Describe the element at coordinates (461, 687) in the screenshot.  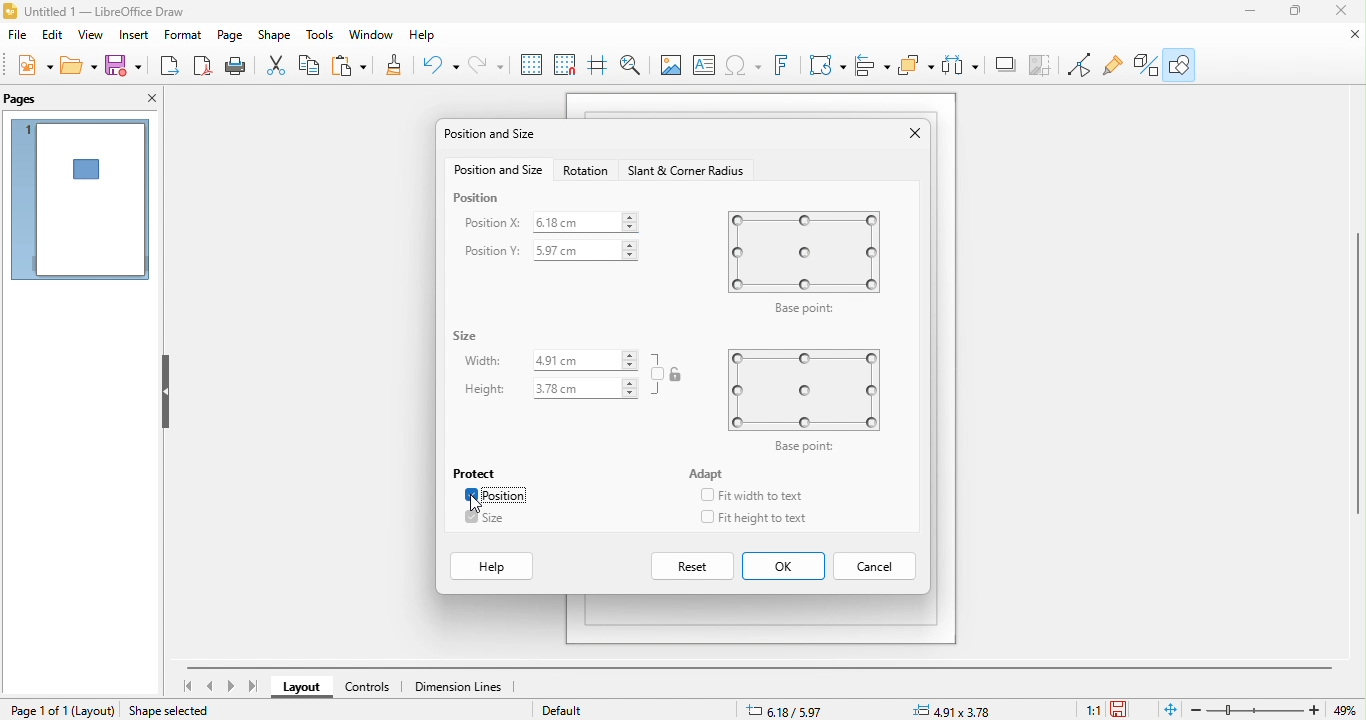
I see `dimension lines` at that location.